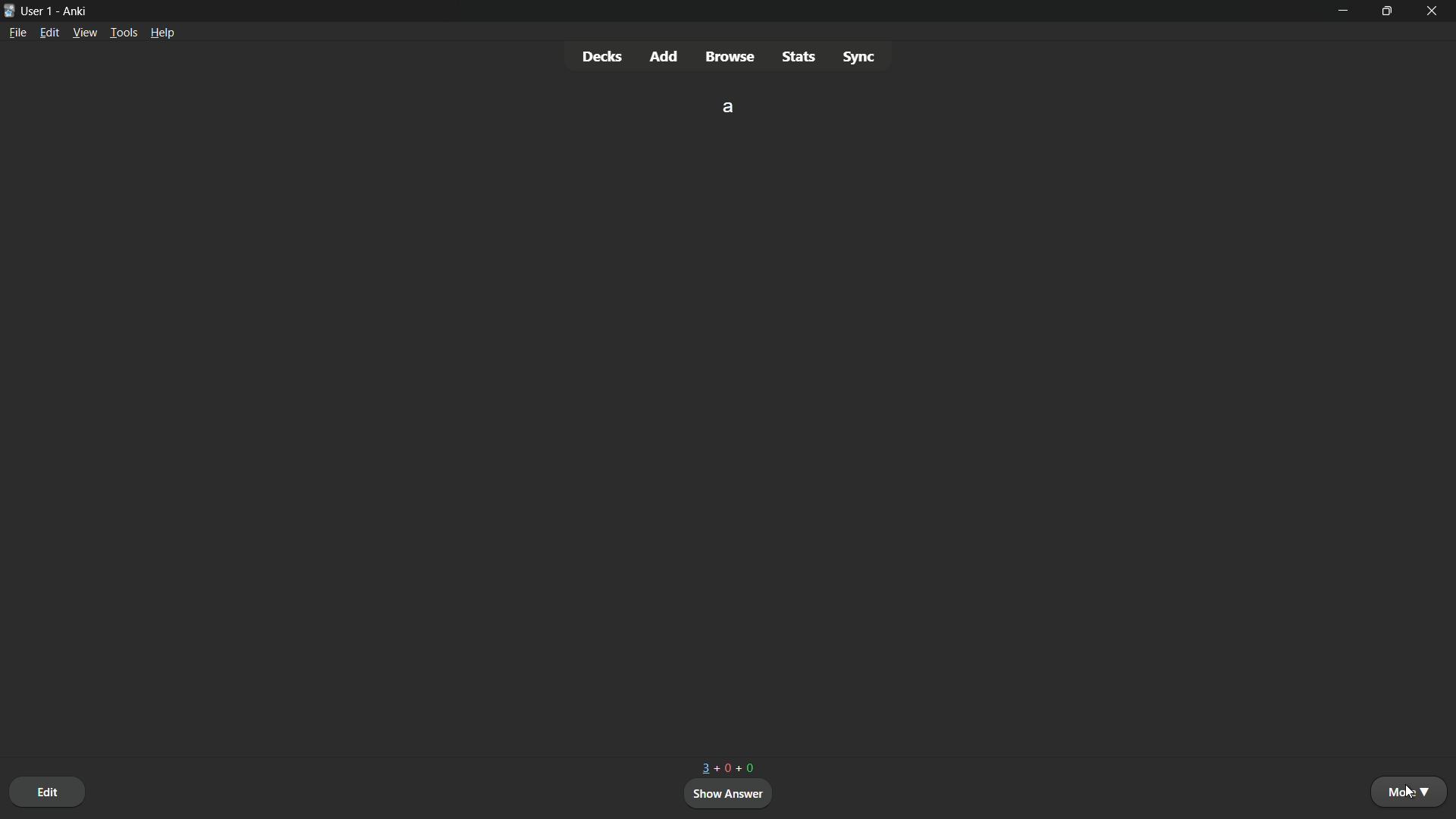 The image size is (1456, 819). What do you see at coordinates (1435, 11) in the screenshot?
I see `close app` at bounding box center [1435, 11].